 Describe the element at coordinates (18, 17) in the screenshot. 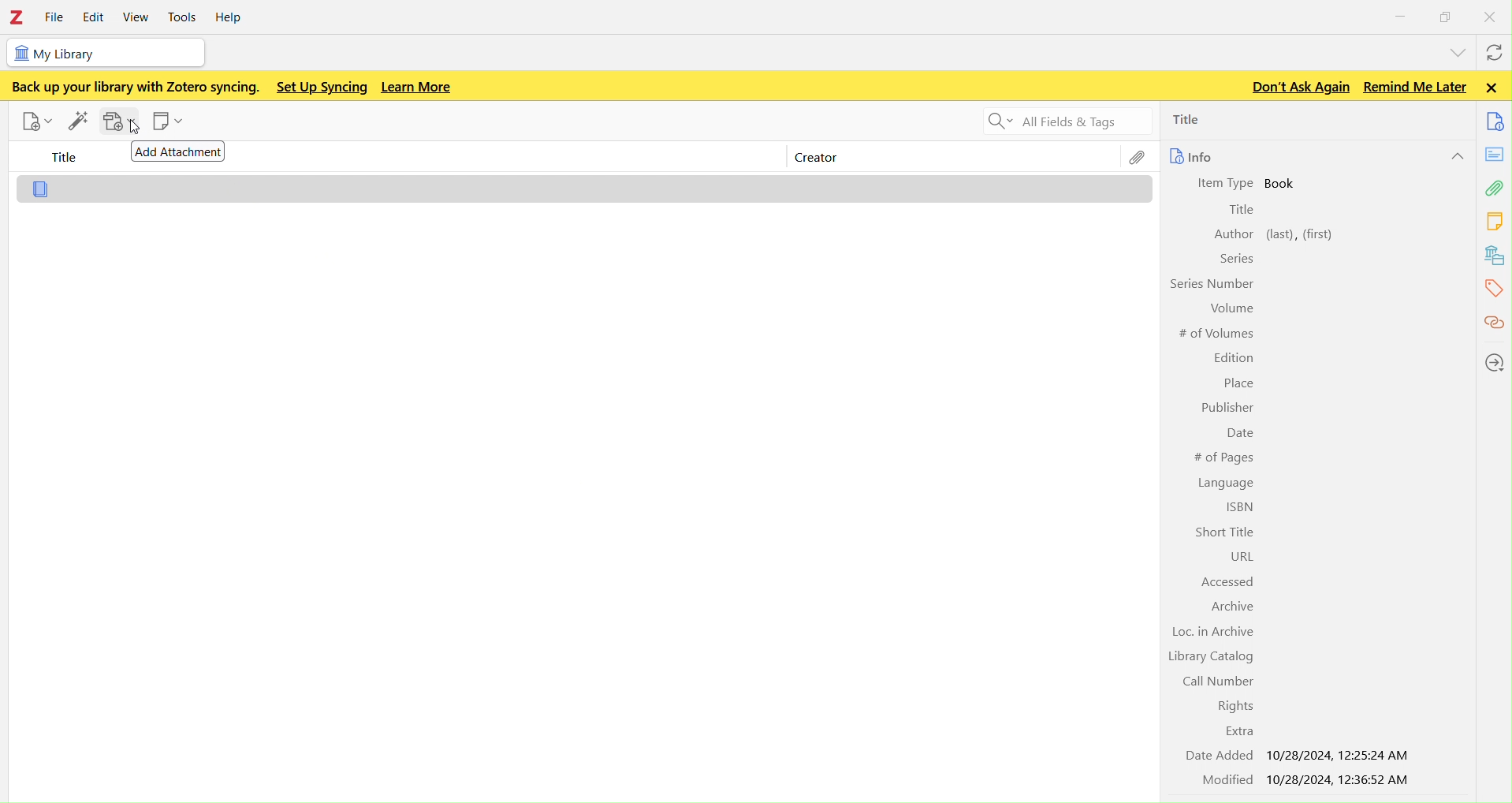

I see `Zotero - logo` at that location.